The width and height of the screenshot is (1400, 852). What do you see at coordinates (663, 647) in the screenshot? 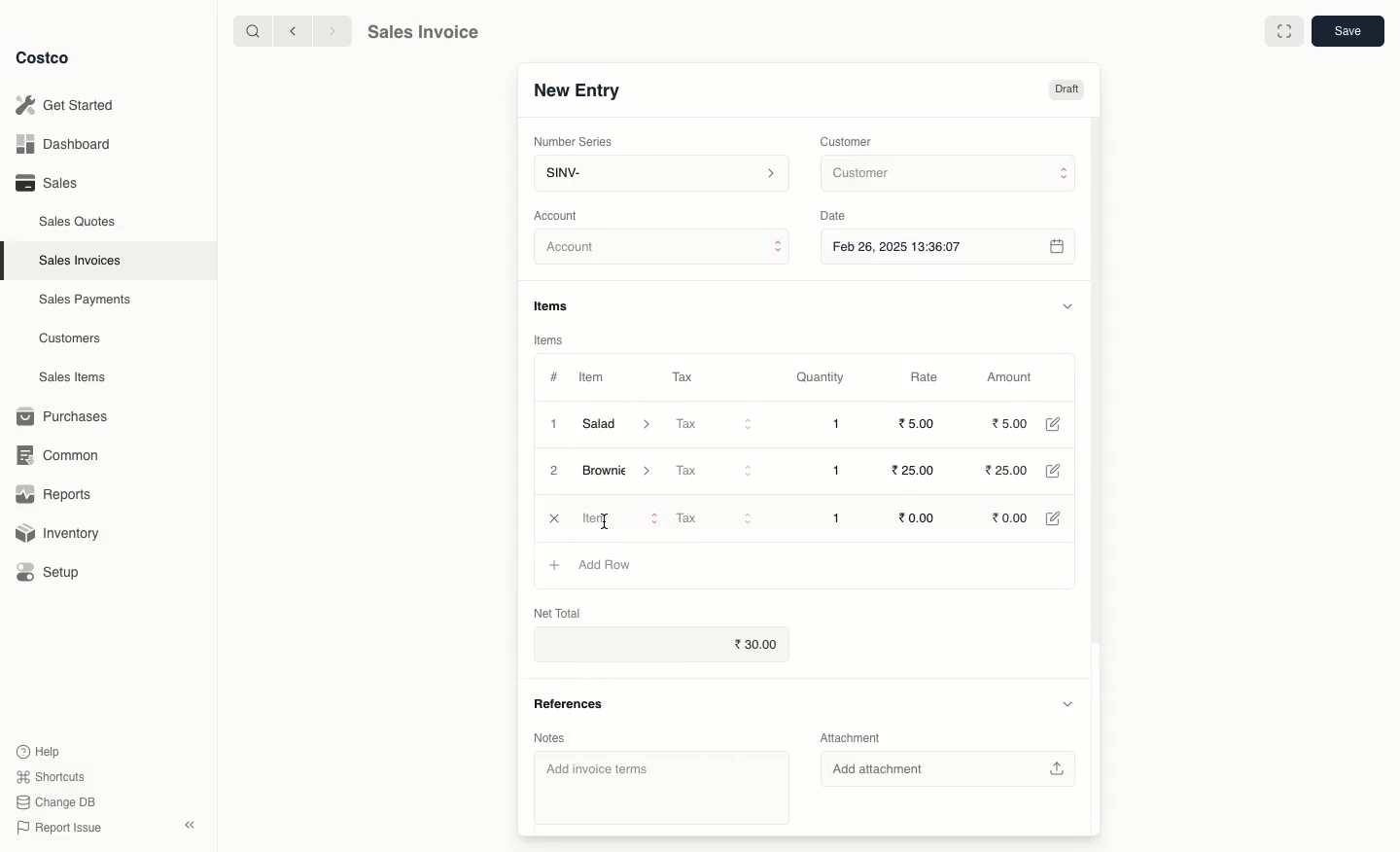
I see `30.00` at bounding box center [663, 647].